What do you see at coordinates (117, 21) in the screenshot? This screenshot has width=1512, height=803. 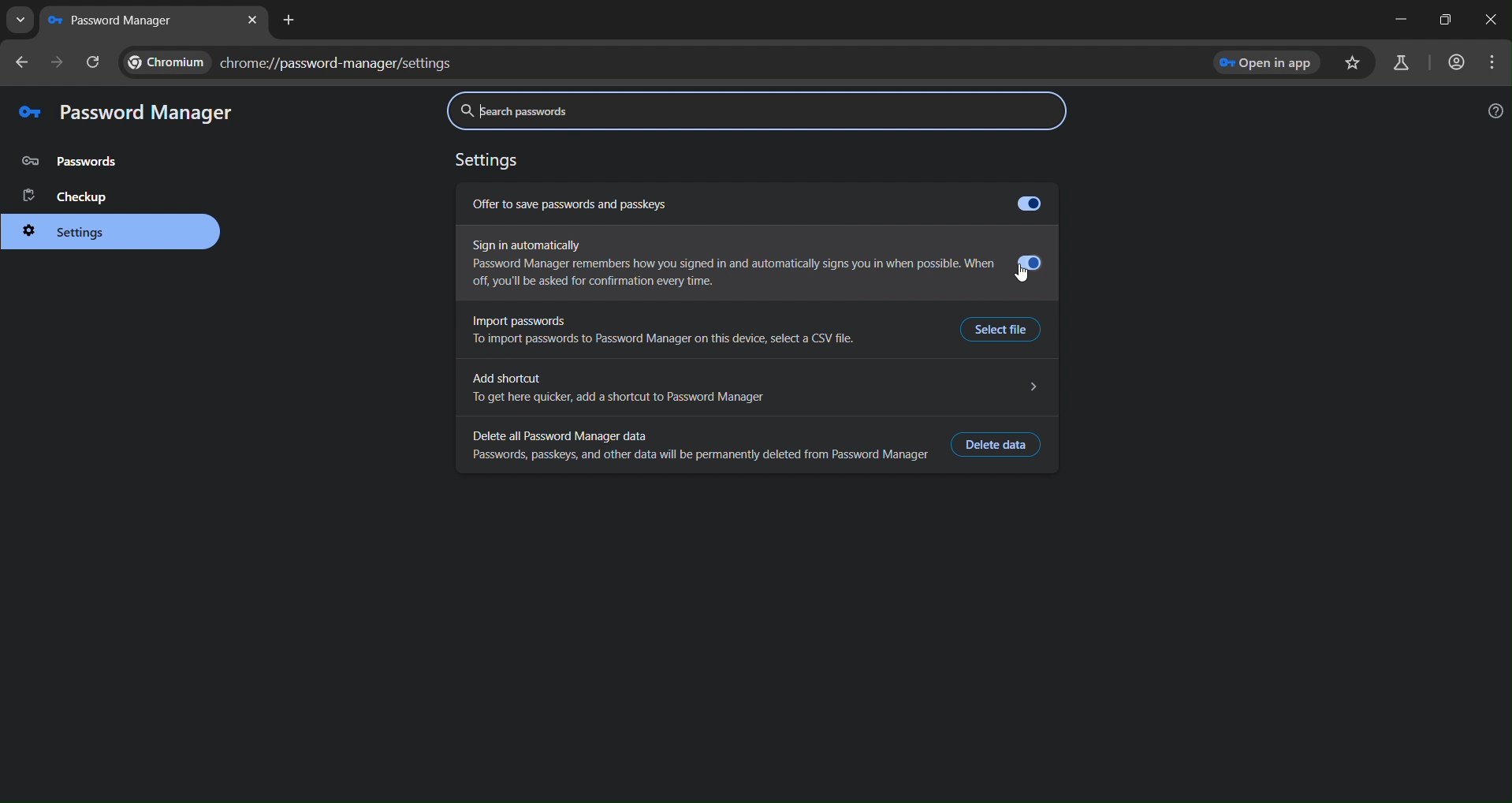 I see `password manager` at bounding box center [117, 21].